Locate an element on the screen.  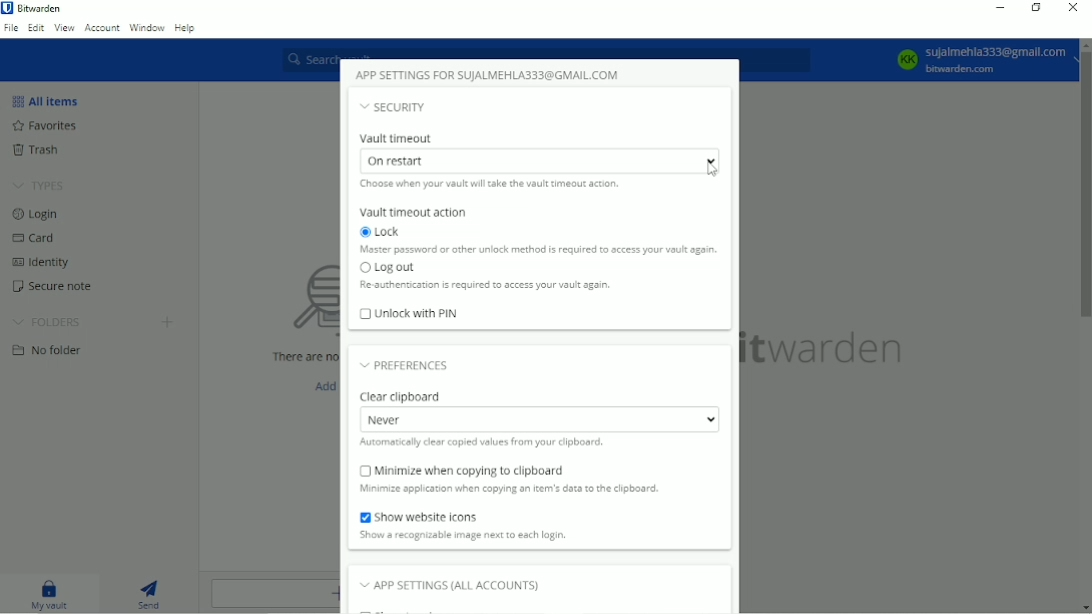
APP SETTINGS FOR SUJALMEHLA333@GMAIL COM is located at coordinates (490, 74).